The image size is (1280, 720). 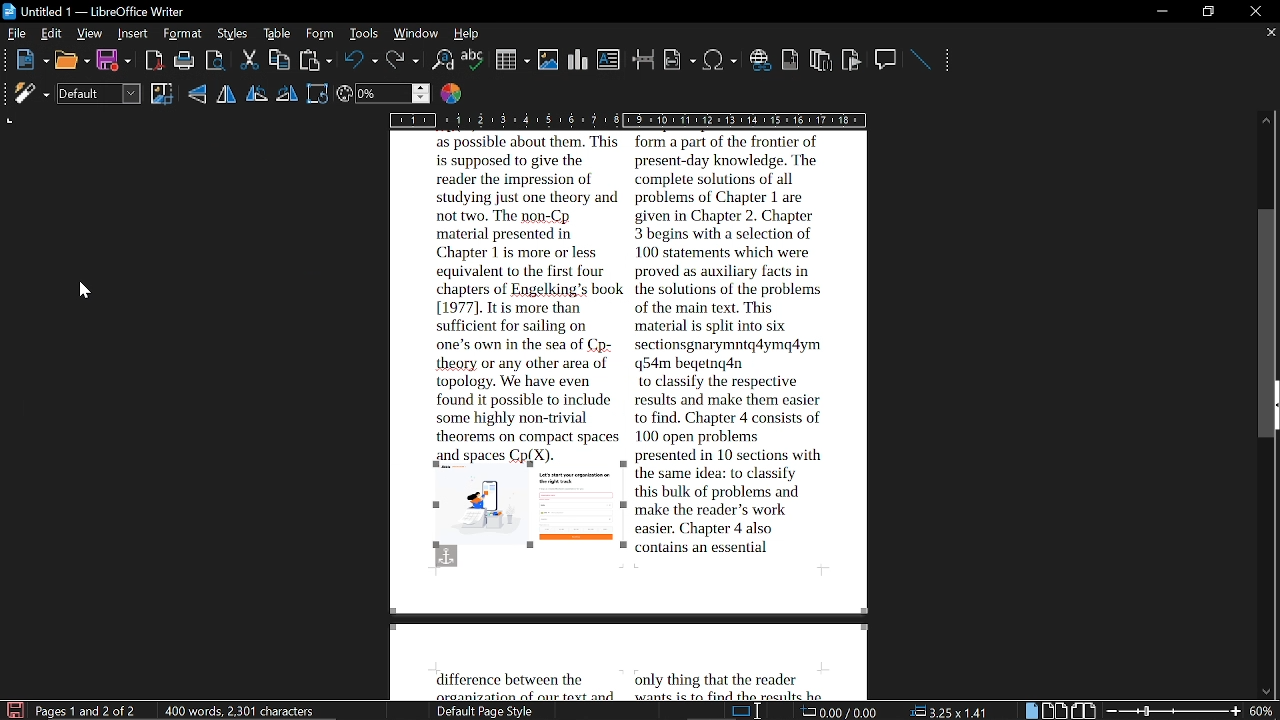 I want to click on cut , so click(x=246, y=60).